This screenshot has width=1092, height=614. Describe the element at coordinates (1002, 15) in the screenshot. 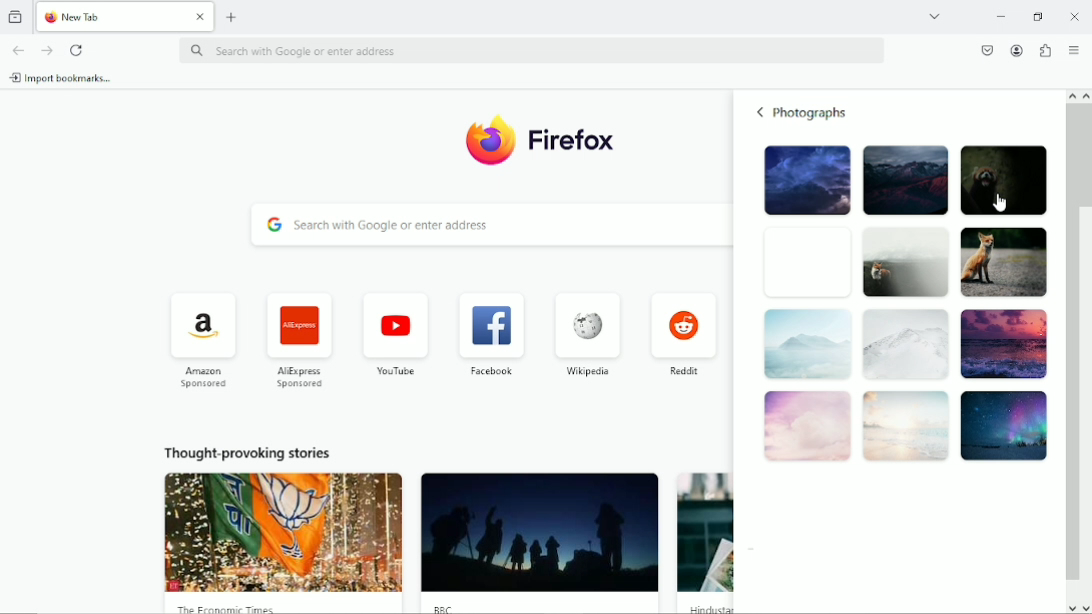

I see `Minimize` at that location.